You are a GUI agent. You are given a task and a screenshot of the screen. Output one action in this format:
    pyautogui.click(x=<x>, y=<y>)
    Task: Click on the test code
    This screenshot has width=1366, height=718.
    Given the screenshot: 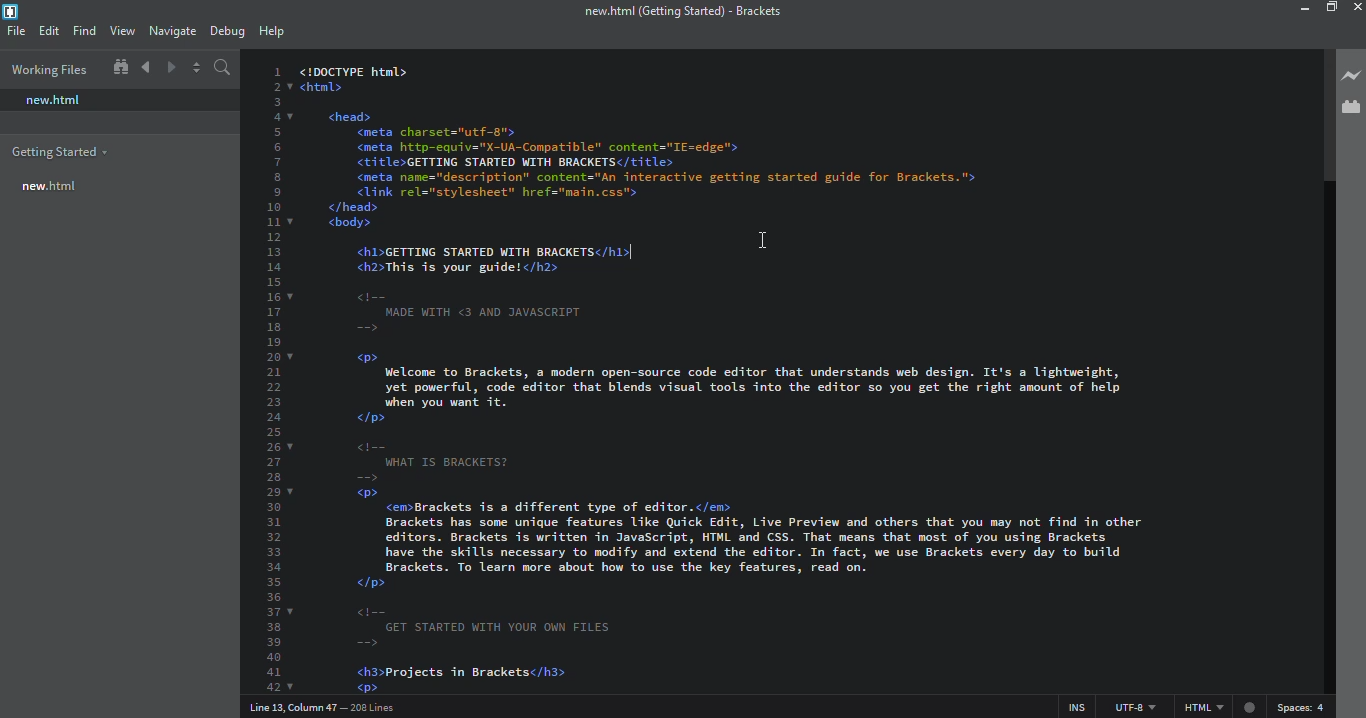 What is the action you would take?
    pyautogui.click(x=475, y=250)
    